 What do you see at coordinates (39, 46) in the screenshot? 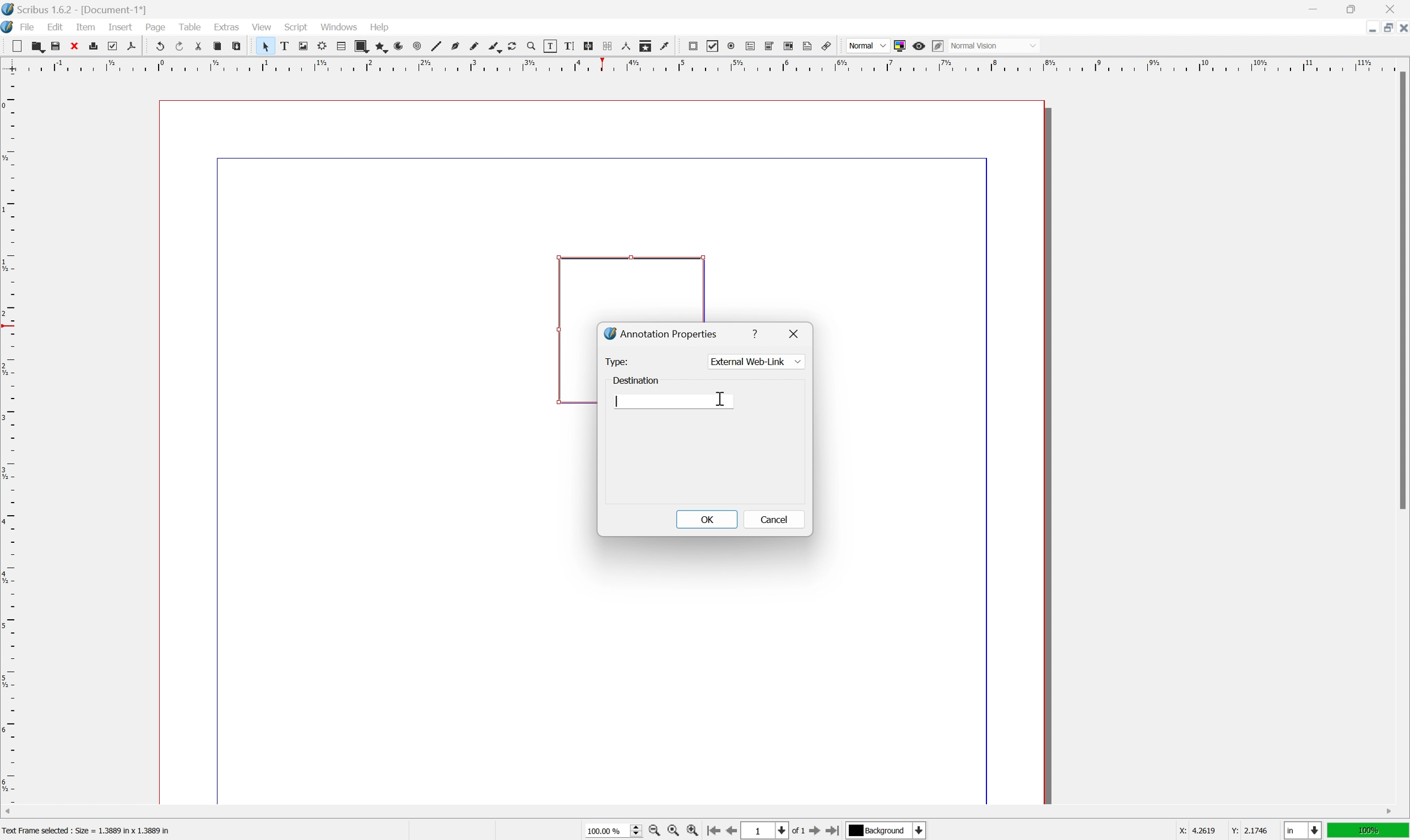
I see `open` at bounding box center [39, 46].